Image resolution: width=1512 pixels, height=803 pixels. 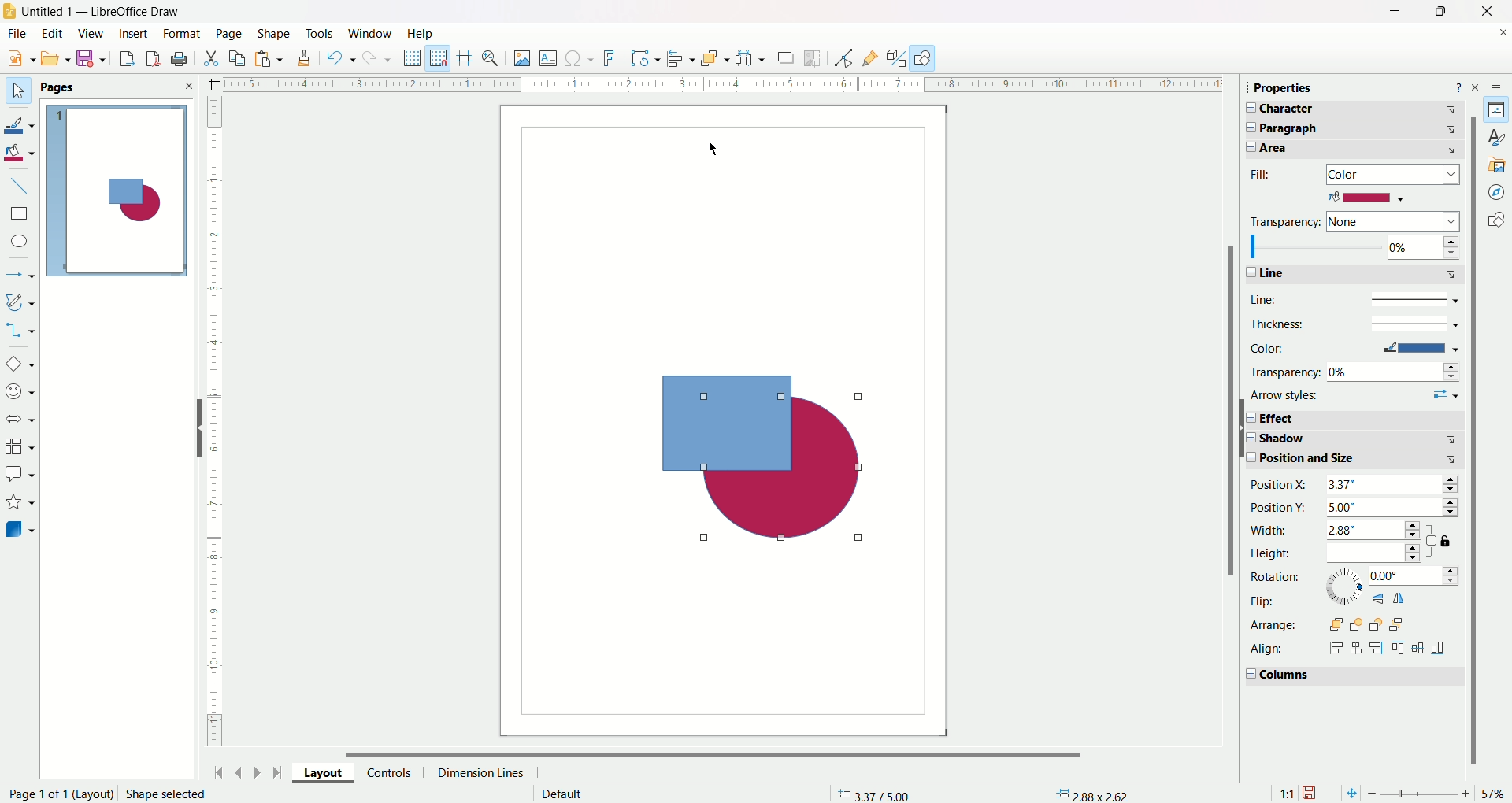 I want to click on line, so click(x=1351, y=298).